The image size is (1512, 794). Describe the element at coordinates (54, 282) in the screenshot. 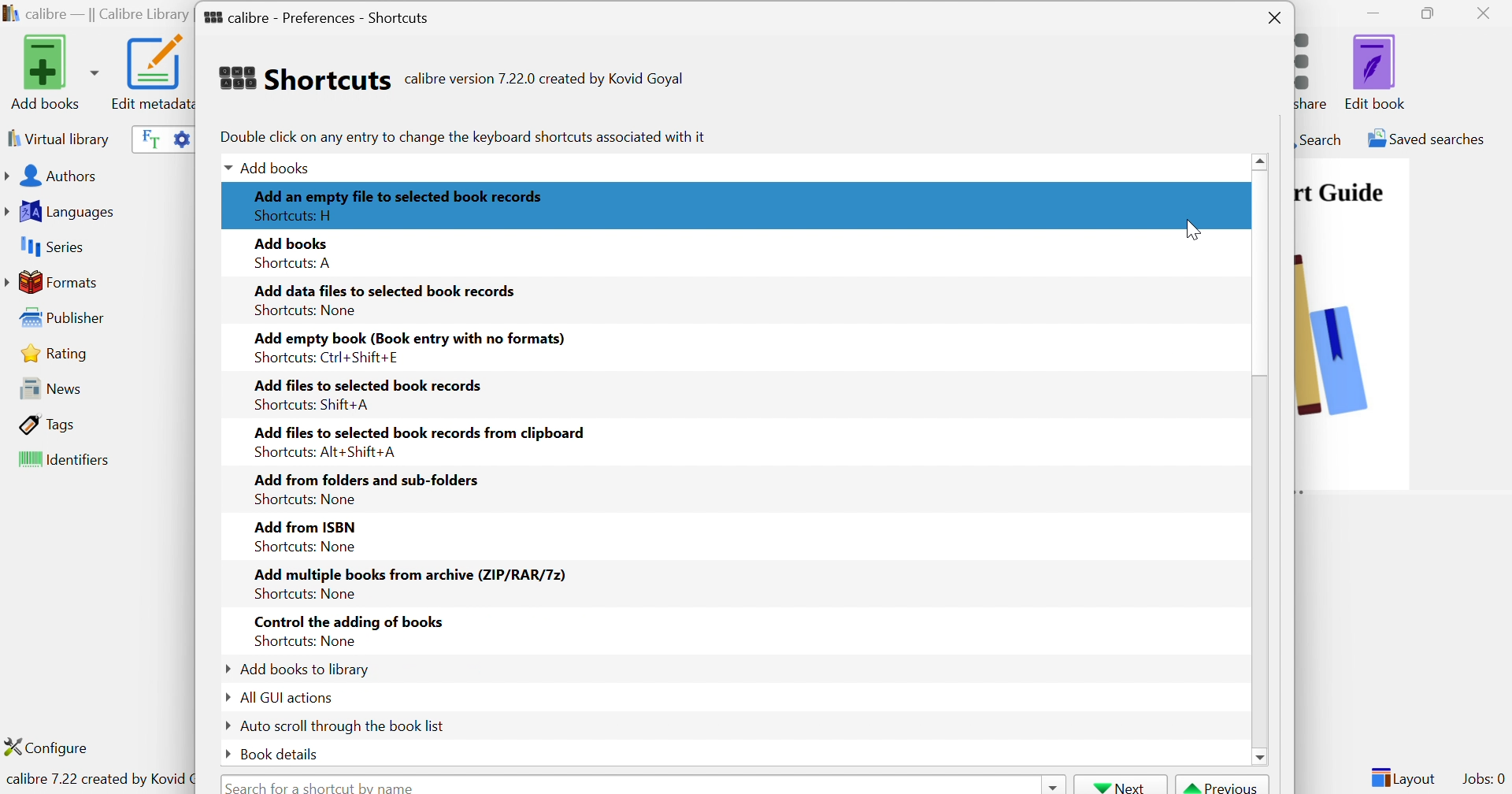

I see `Formats` at that location.